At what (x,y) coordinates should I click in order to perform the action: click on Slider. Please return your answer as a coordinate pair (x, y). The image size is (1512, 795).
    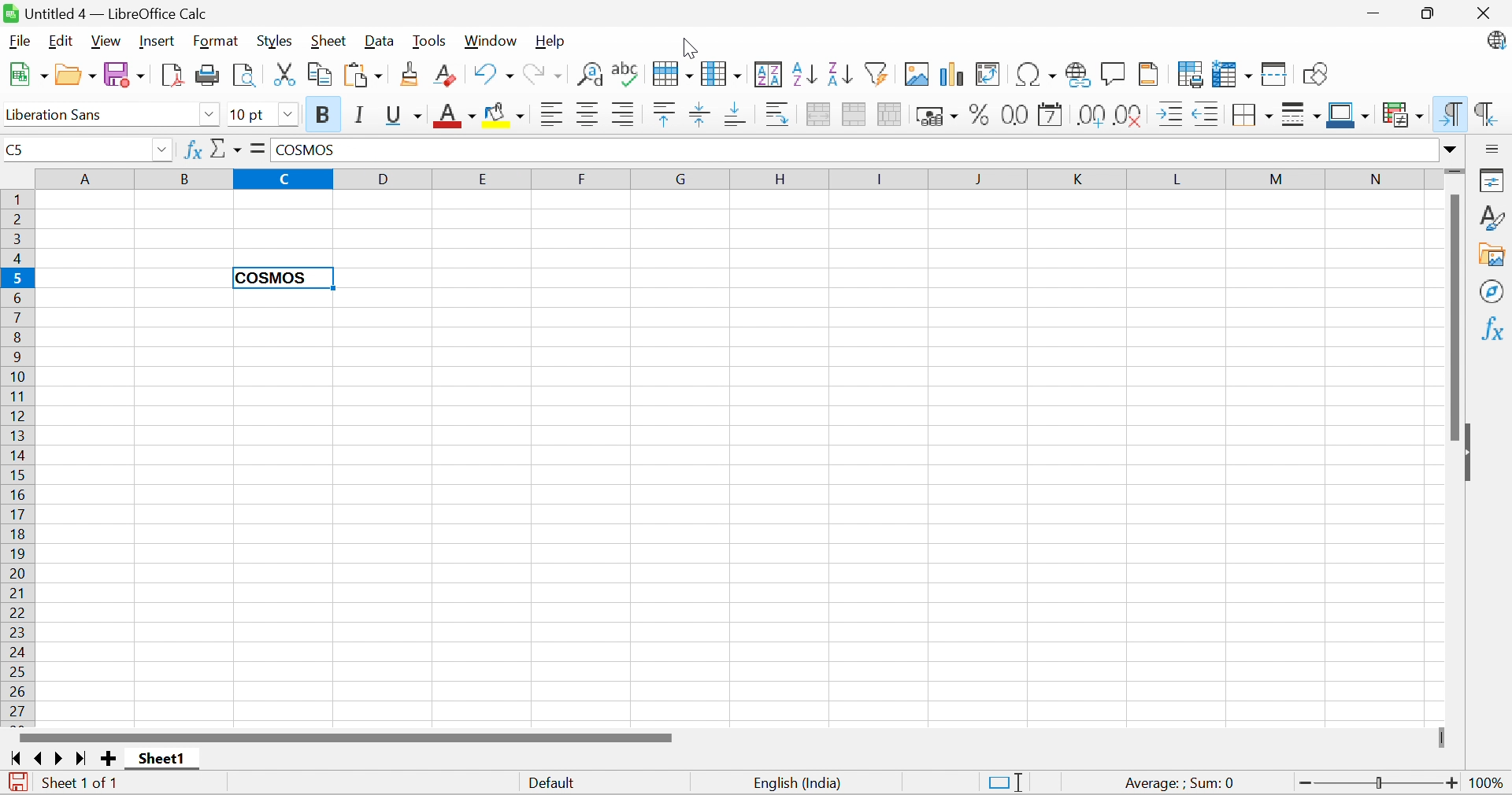
    Looking at the image, I should click on (1444, 737).